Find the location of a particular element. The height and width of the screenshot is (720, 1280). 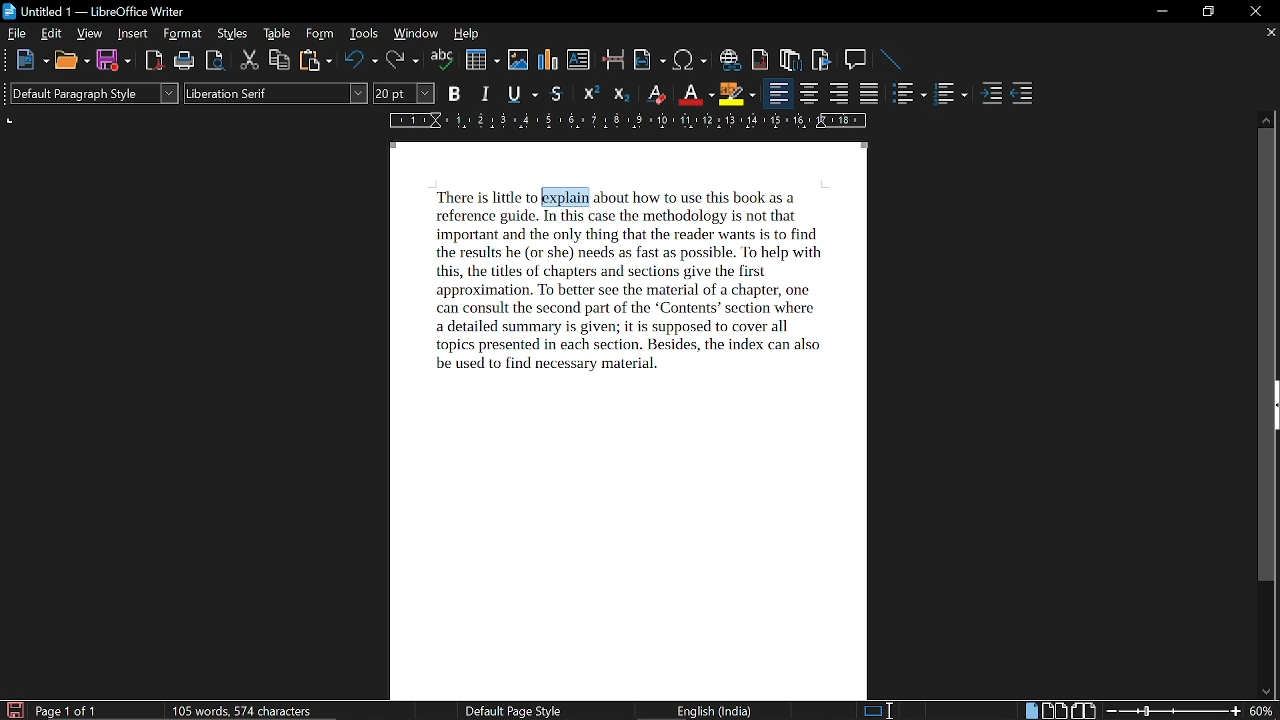

 is located at coordinates (705, 196).